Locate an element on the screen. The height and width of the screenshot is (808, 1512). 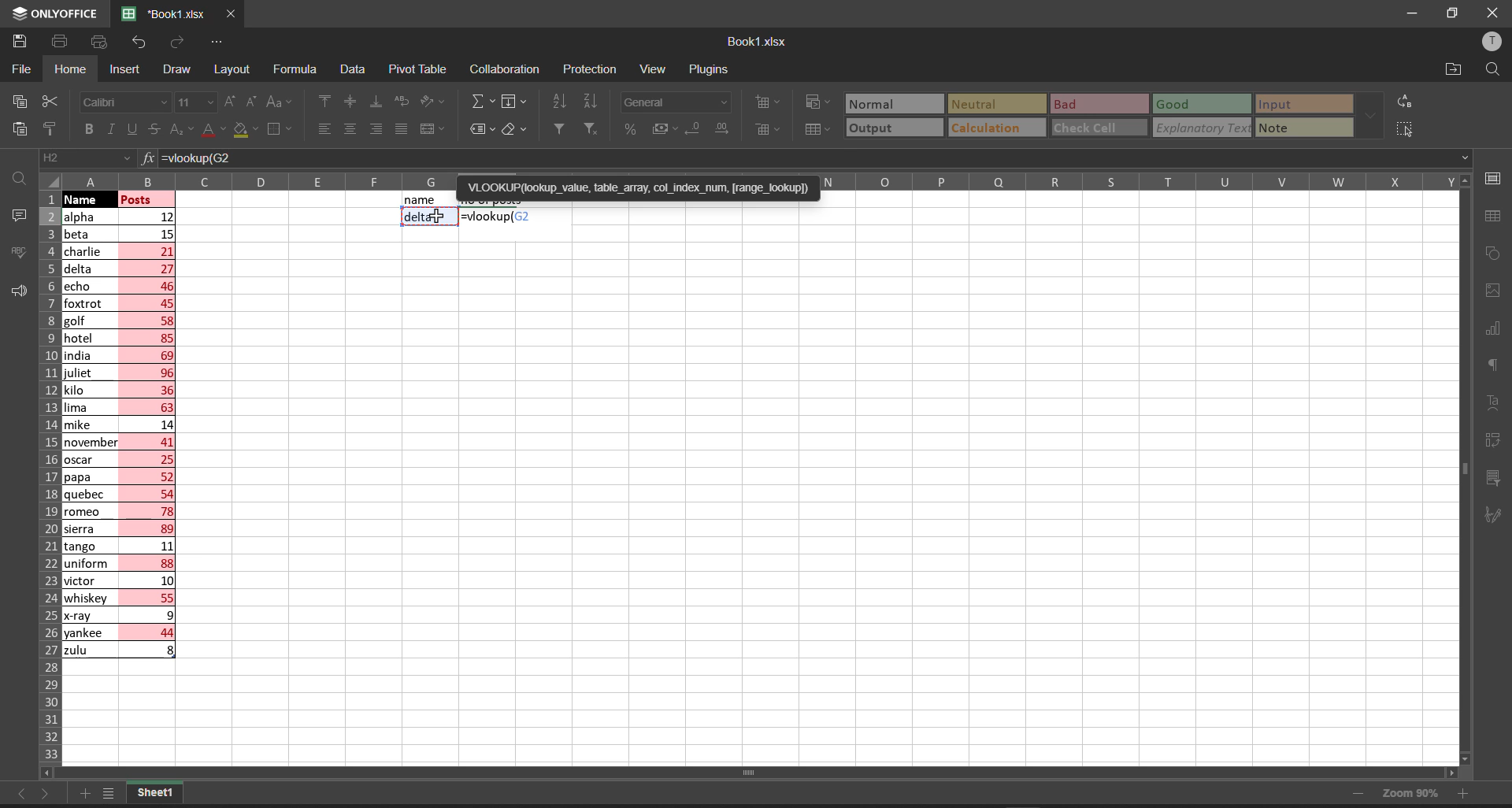
input is located at coordinates (1283, 102).